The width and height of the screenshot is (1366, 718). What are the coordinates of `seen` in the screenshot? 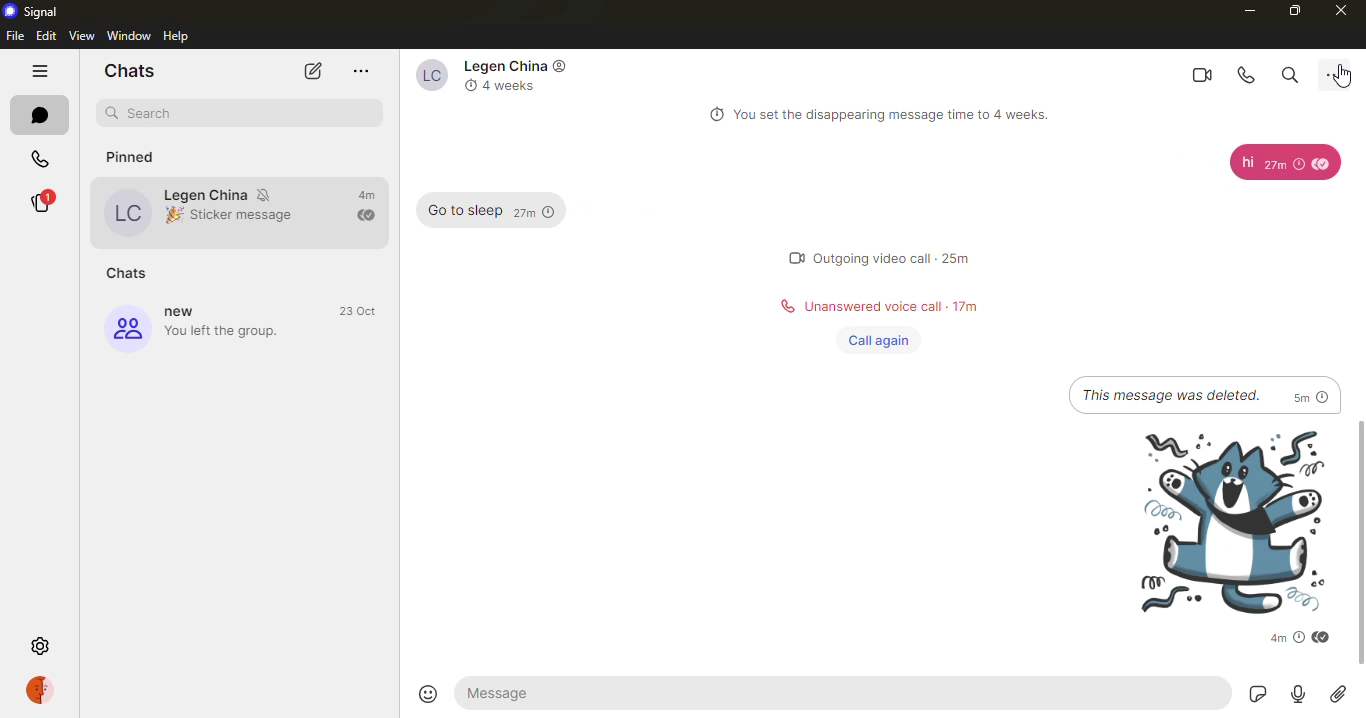 It's located at (1324, 164).